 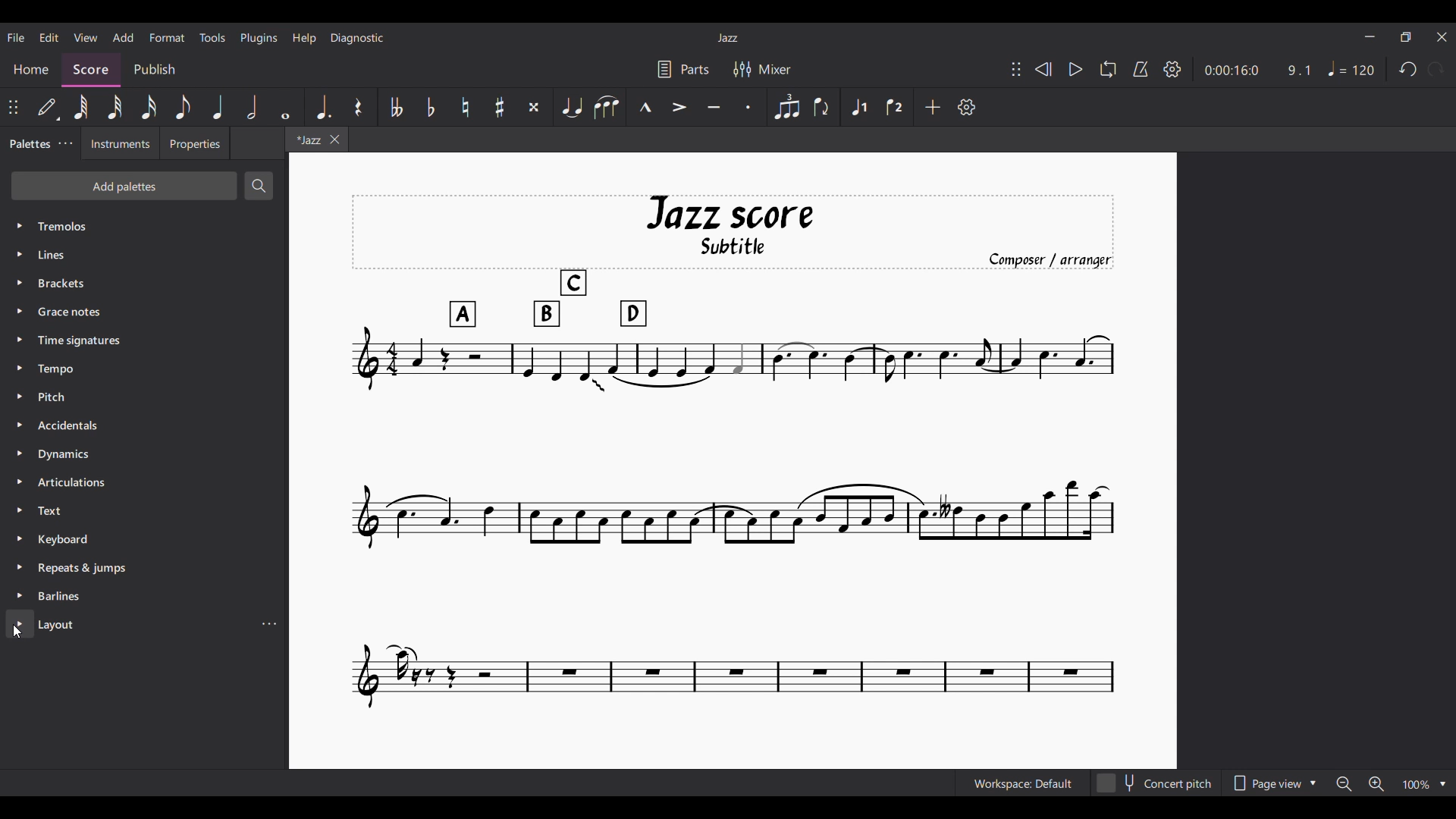 I want to click on Properties, so click(x=195, y=143).